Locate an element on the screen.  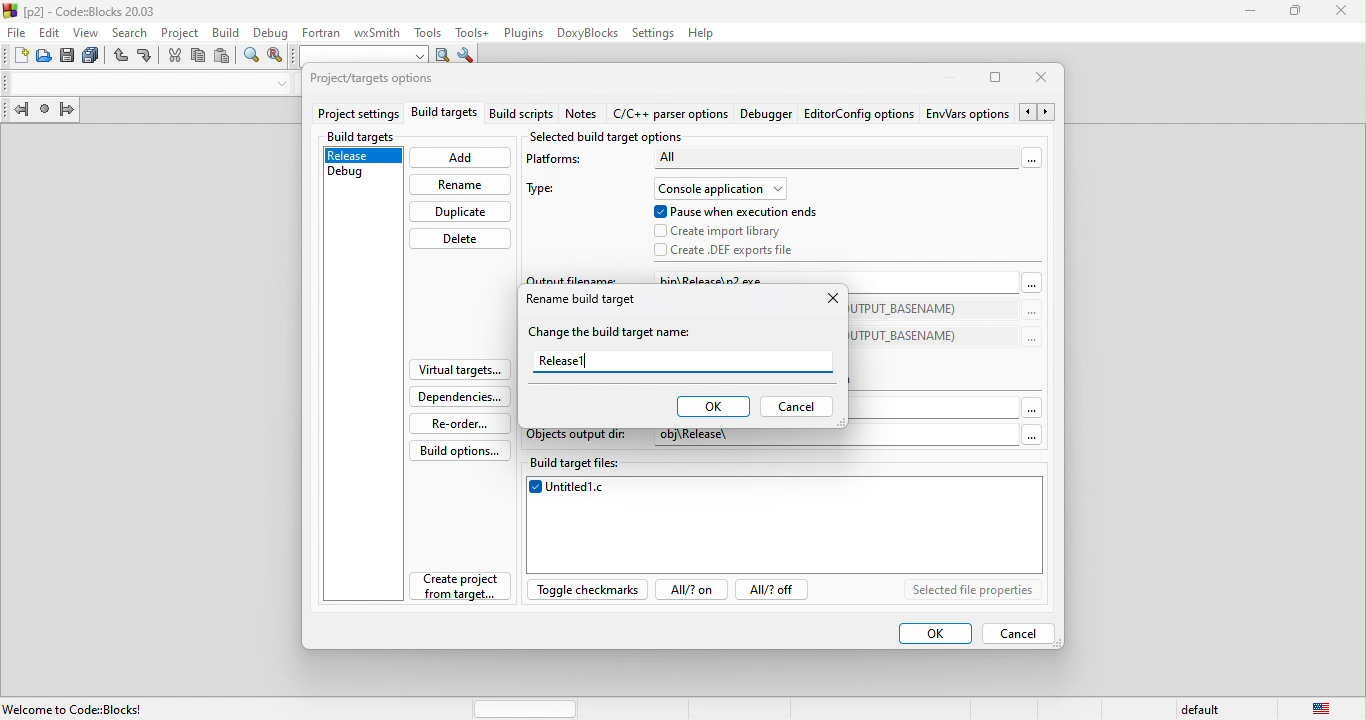
redo is located at coordinates (146, 57).